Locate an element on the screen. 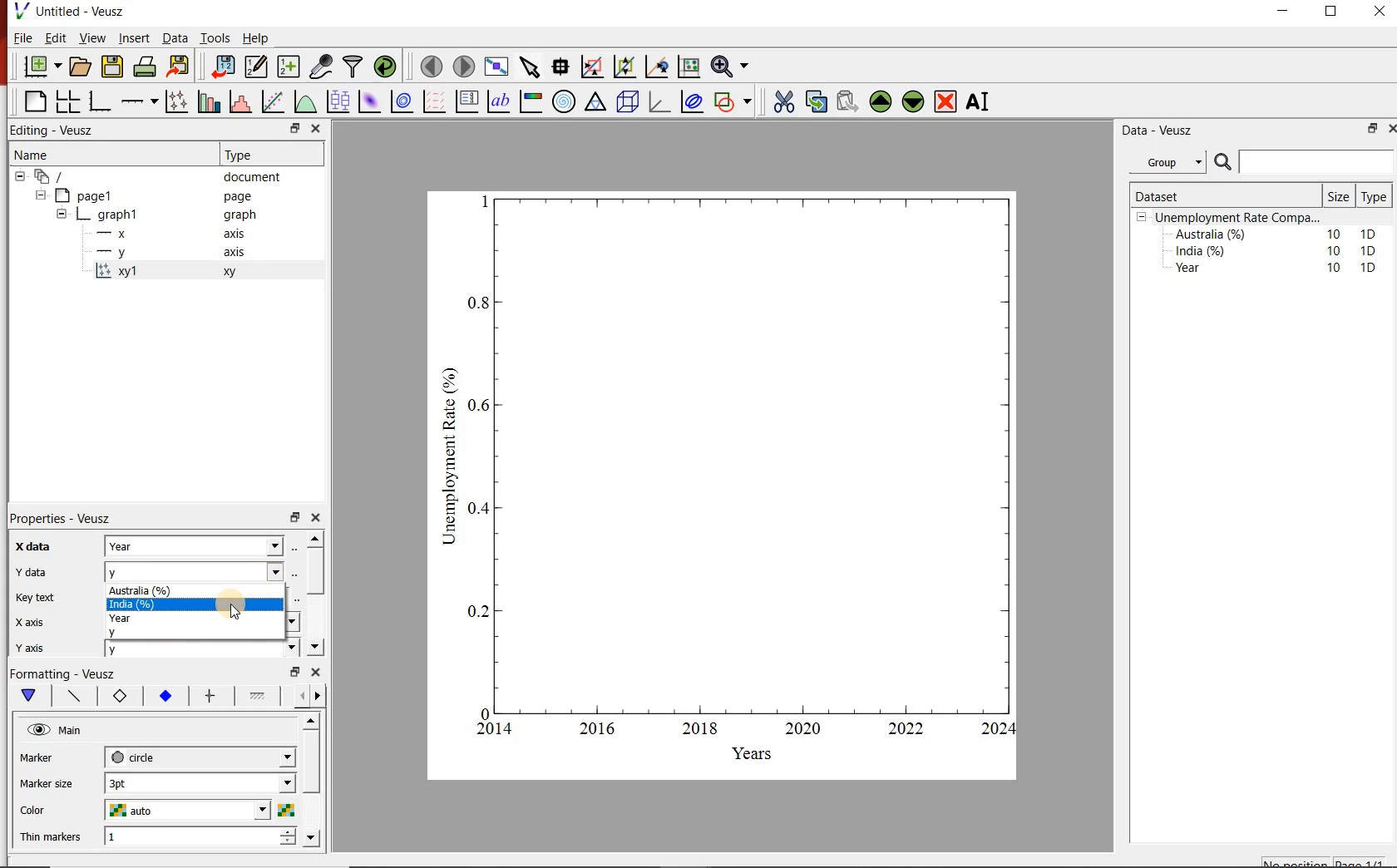 Image resolution: width=1397 pixels, height=868 pixels. arrange graphs is located at coordinates (67, 101).